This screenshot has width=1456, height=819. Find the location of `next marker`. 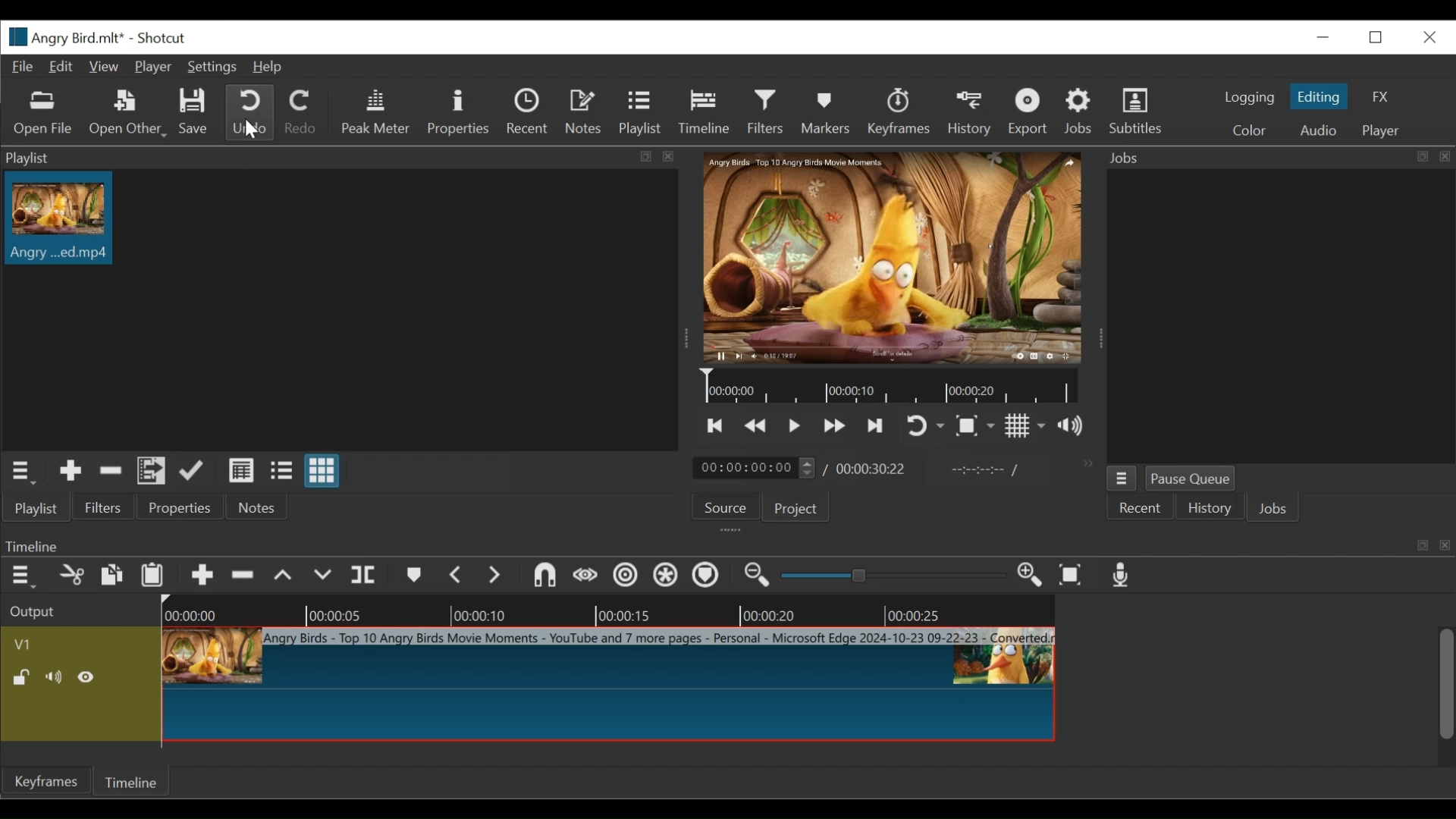

next marker is located at coordinates (494, 575).